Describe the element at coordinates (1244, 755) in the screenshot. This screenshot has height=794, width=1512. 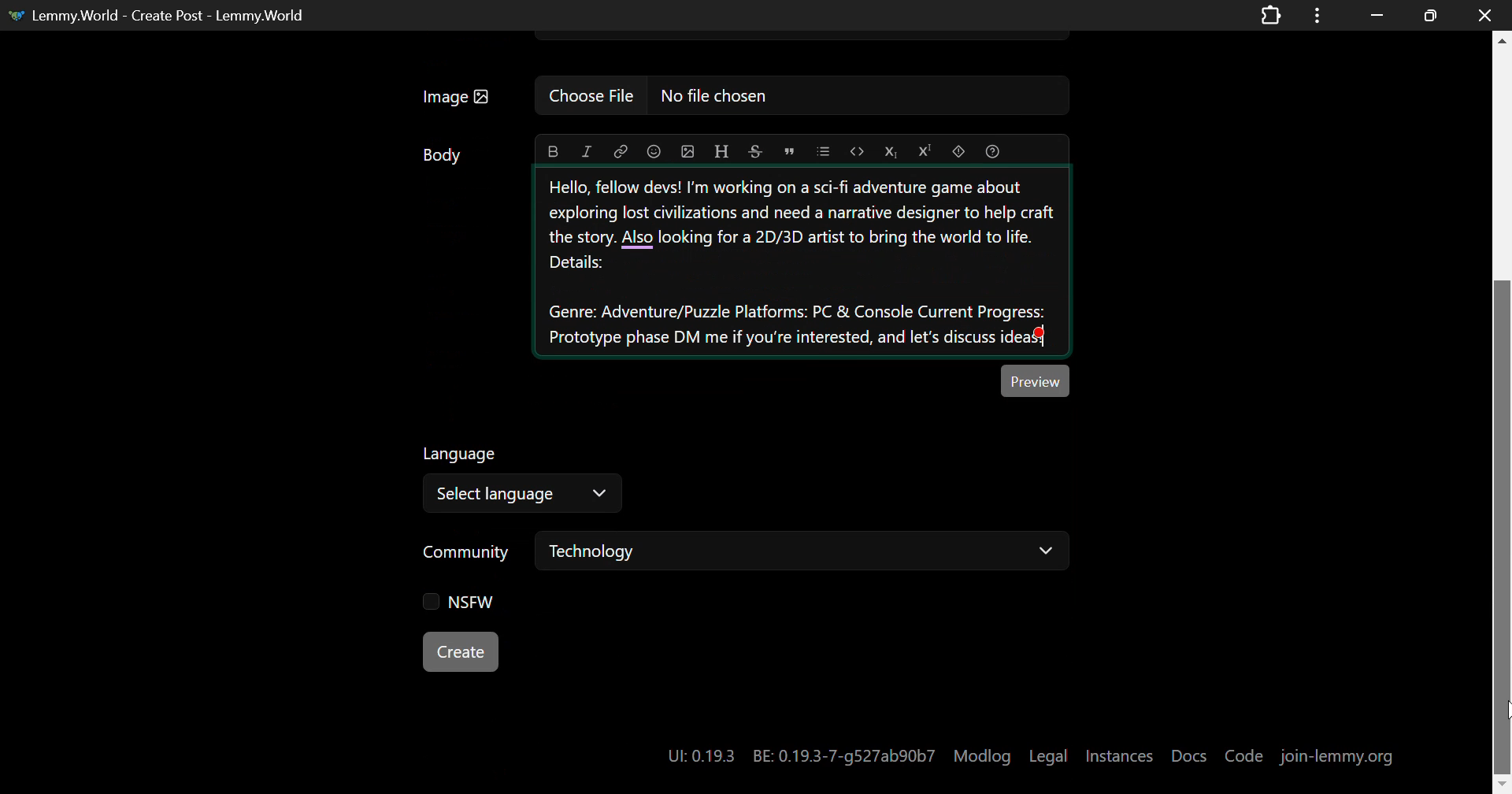
I see `Code` at that location.